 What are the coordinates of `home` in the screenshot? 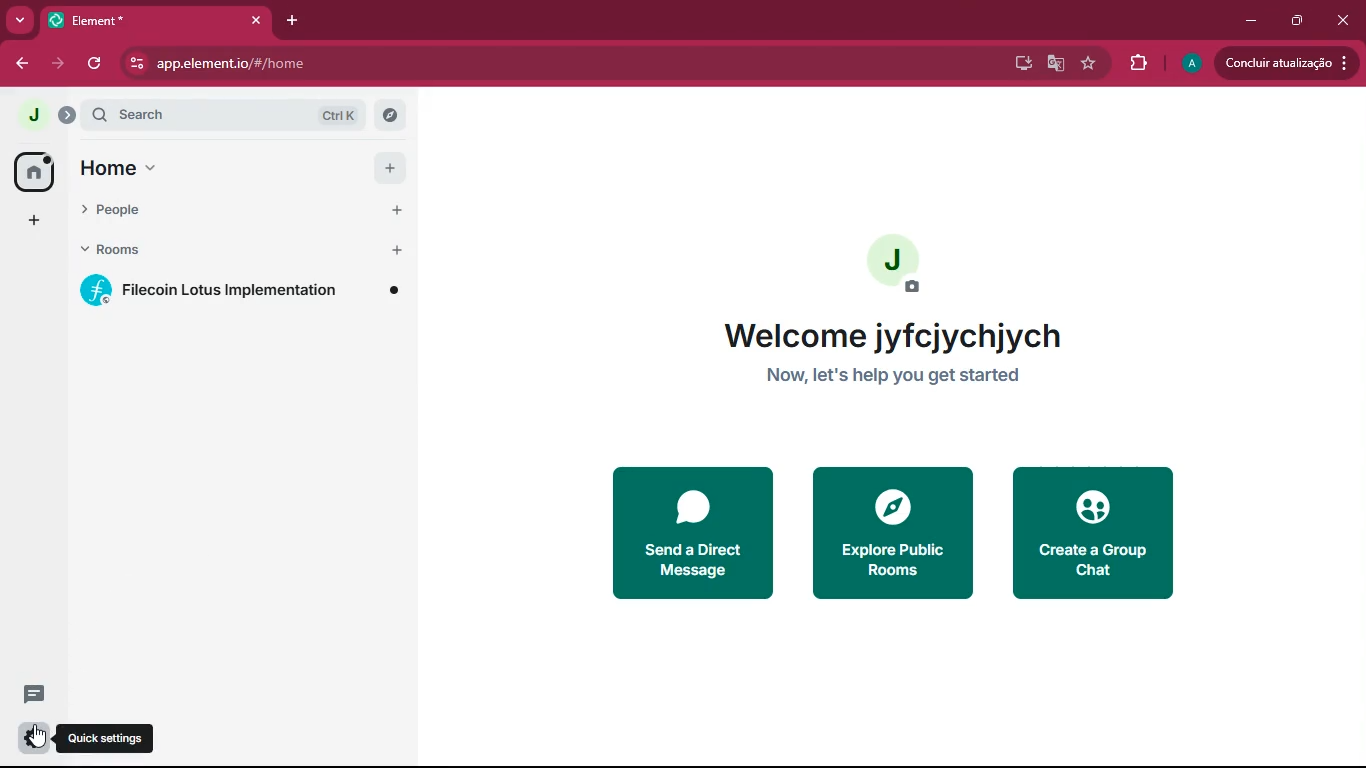 It's located at (33, 171).